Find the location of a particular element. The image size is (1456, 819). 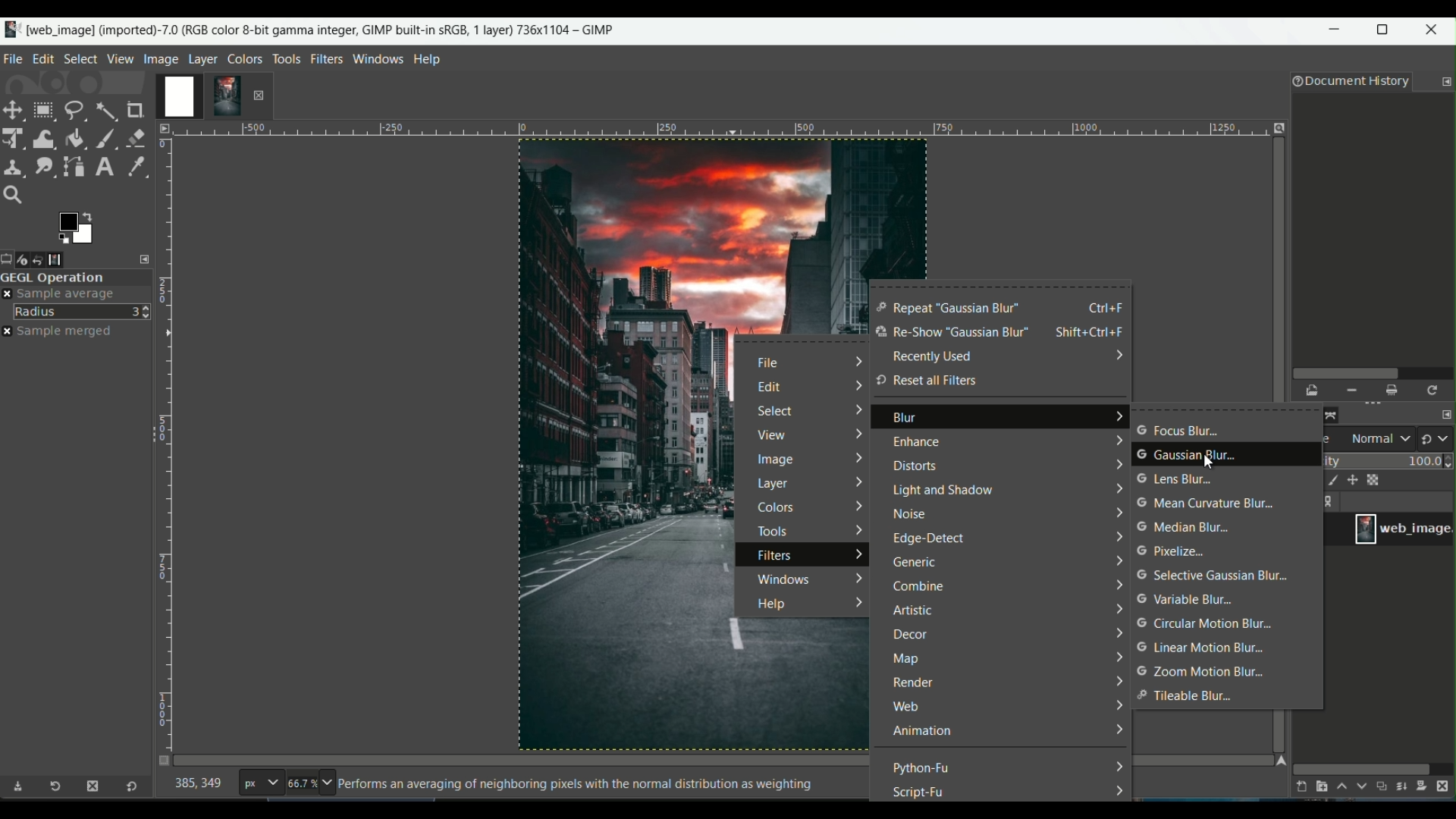

color picker tool is located at coordinates (133, 165).